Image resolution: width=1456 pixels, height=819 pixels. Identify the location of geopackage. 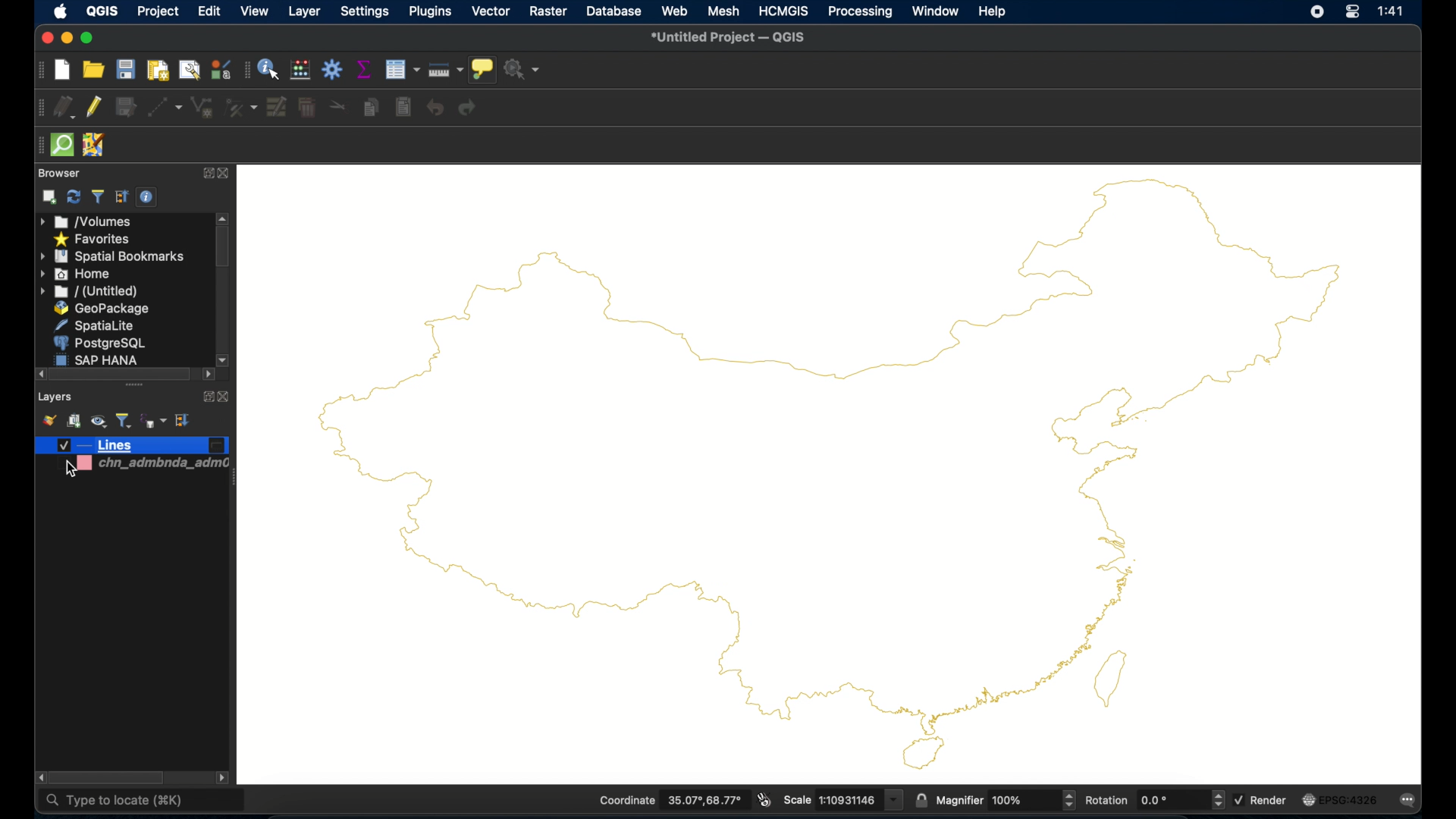
(105, 309).